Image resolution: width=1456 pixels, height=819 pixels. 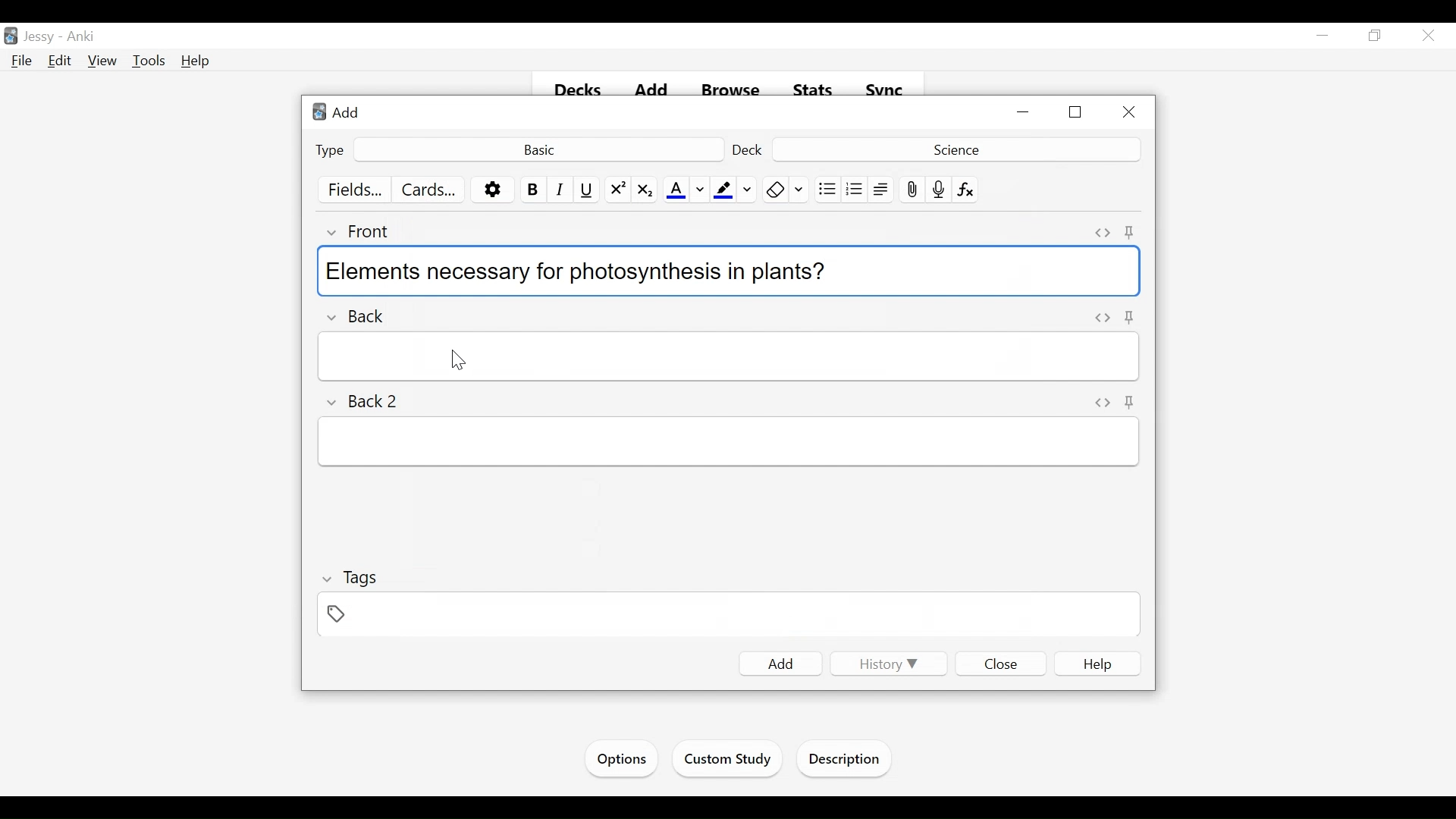 I want to click on Toggle Sticky, so click(x=1130, y=232).